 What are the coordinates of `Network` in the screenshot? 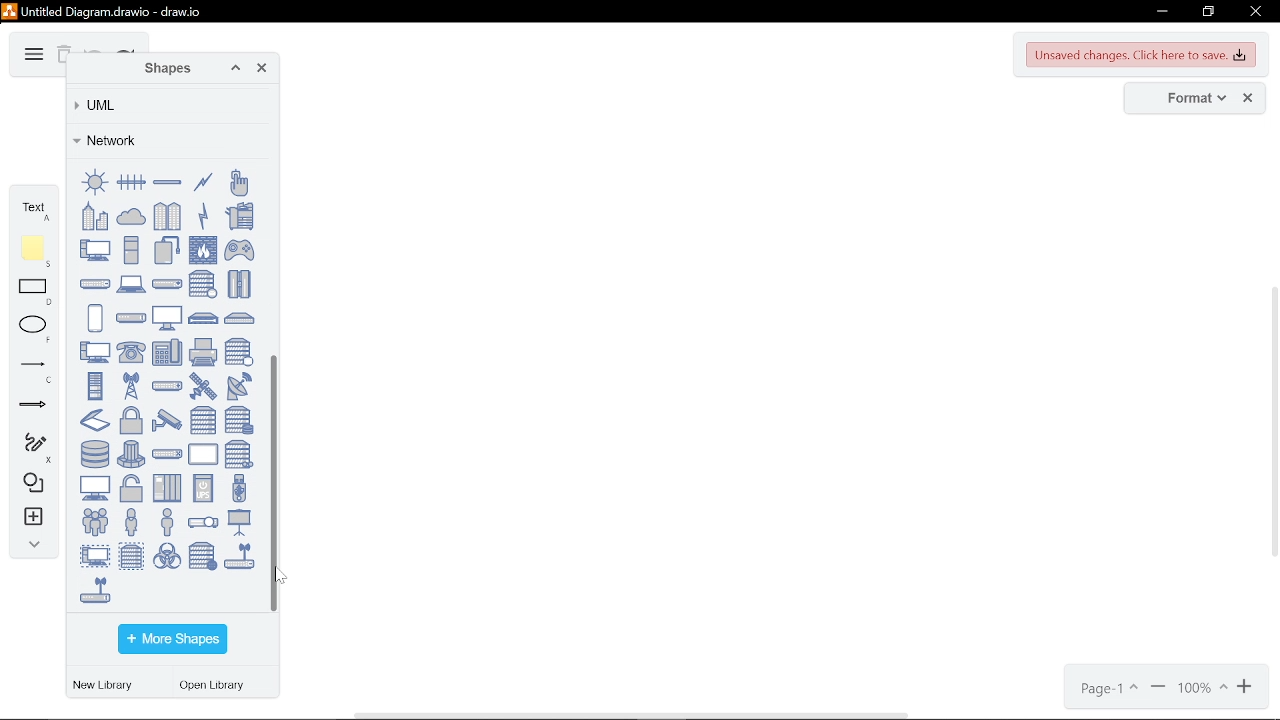 It's located at (165, 140).